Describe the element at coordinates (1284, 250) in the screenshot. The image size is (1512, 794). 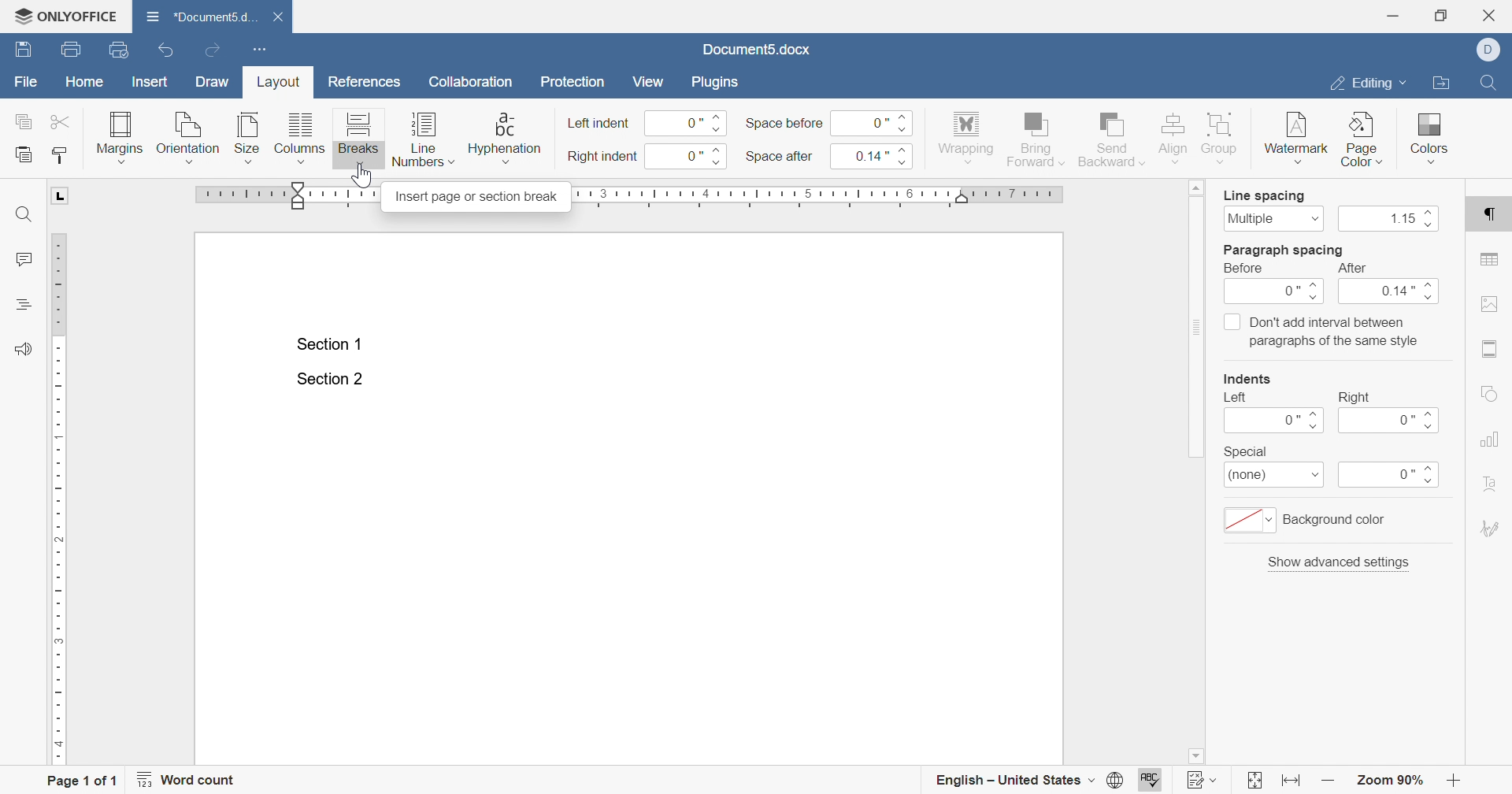
I see `paragraph spacing` at that location.